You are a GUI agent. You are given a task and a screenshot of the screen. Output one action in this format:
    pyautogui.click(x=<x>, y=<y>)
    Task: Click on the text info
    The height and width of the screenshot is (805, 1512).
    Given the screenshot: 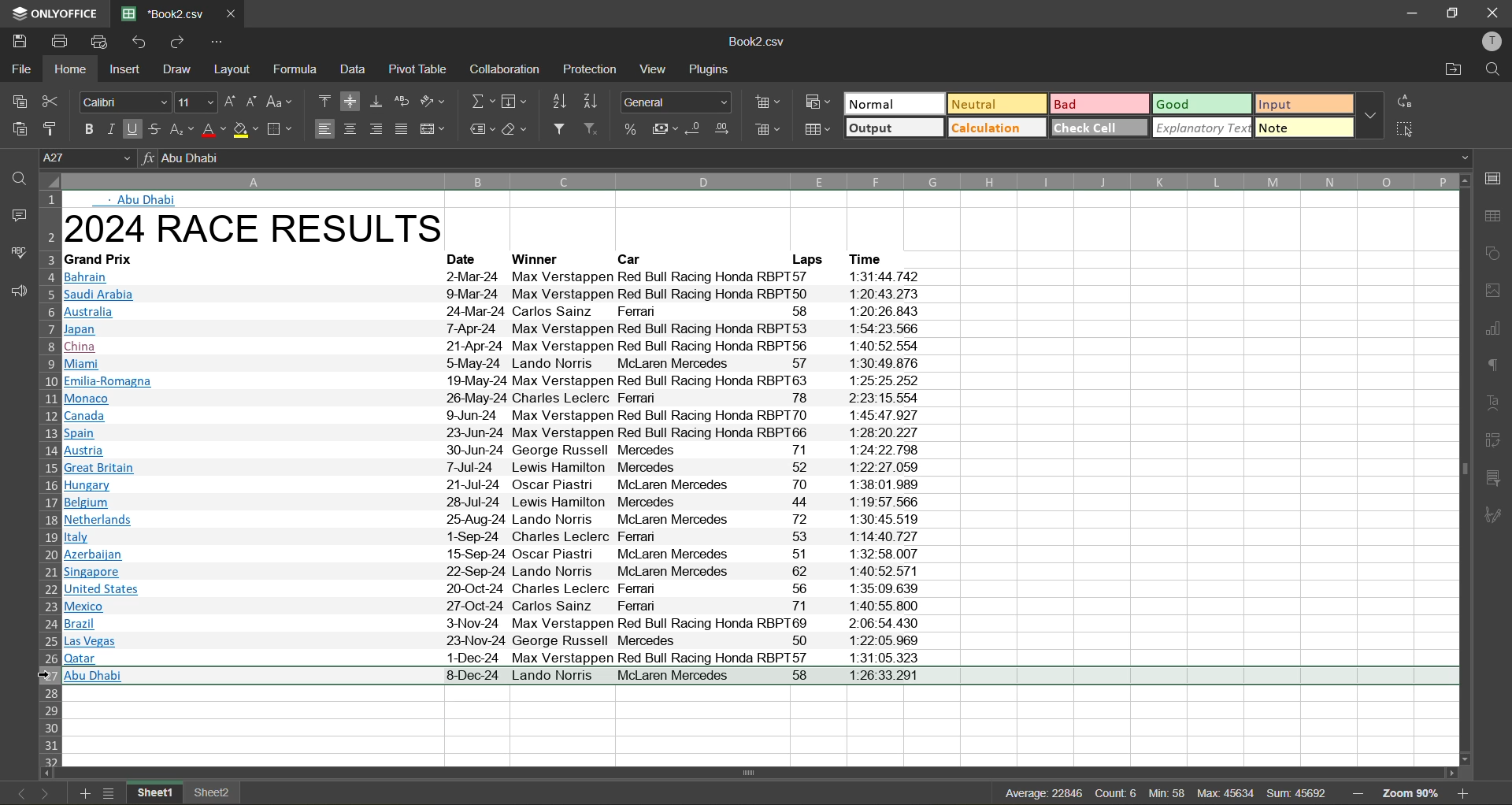 What is the action you would take?
    pyautogui.click(x=498, y=537)
    